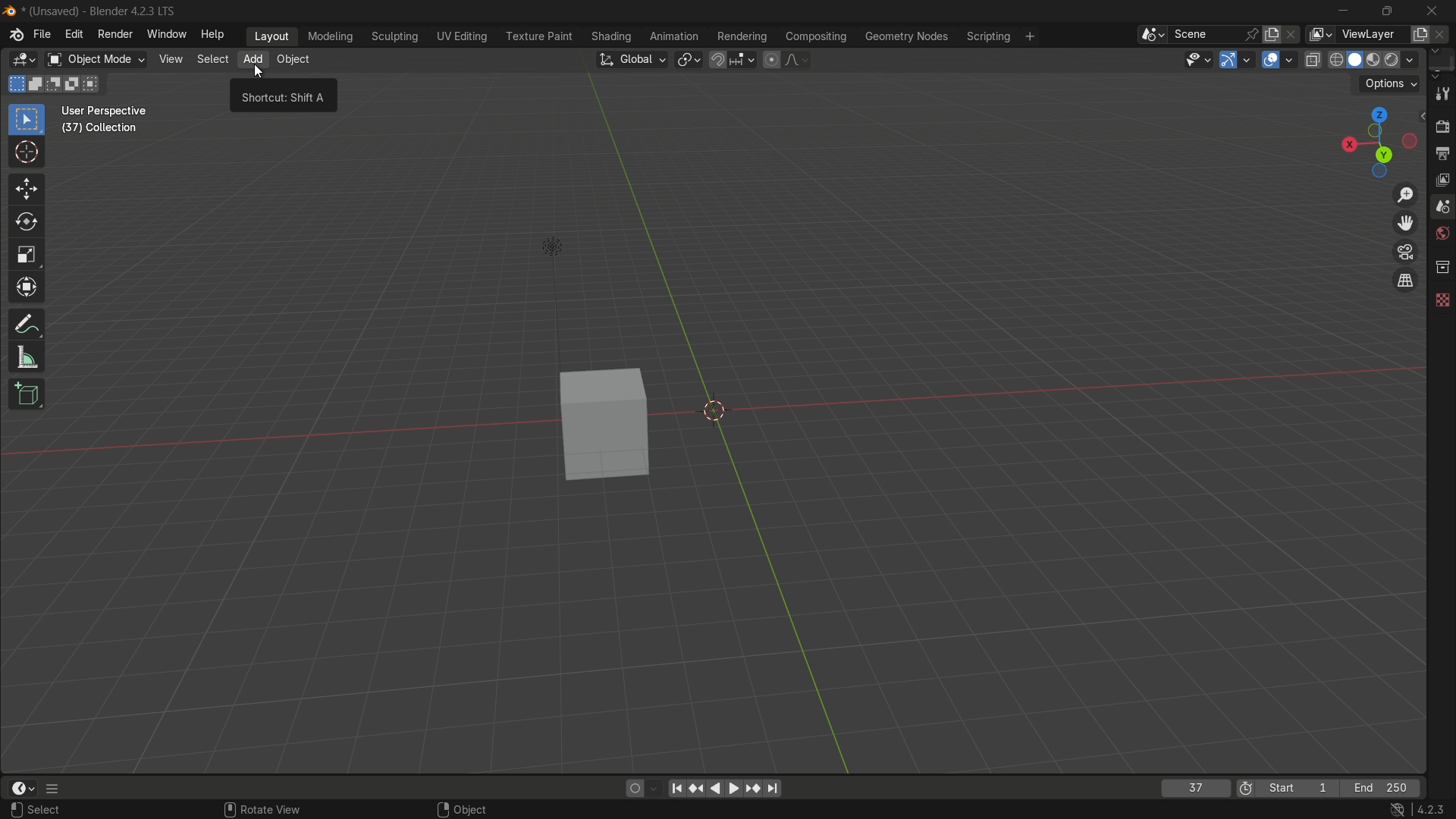 The height and width of the screenshot is (819, 1456). I want to click on select, so click(210, 58).